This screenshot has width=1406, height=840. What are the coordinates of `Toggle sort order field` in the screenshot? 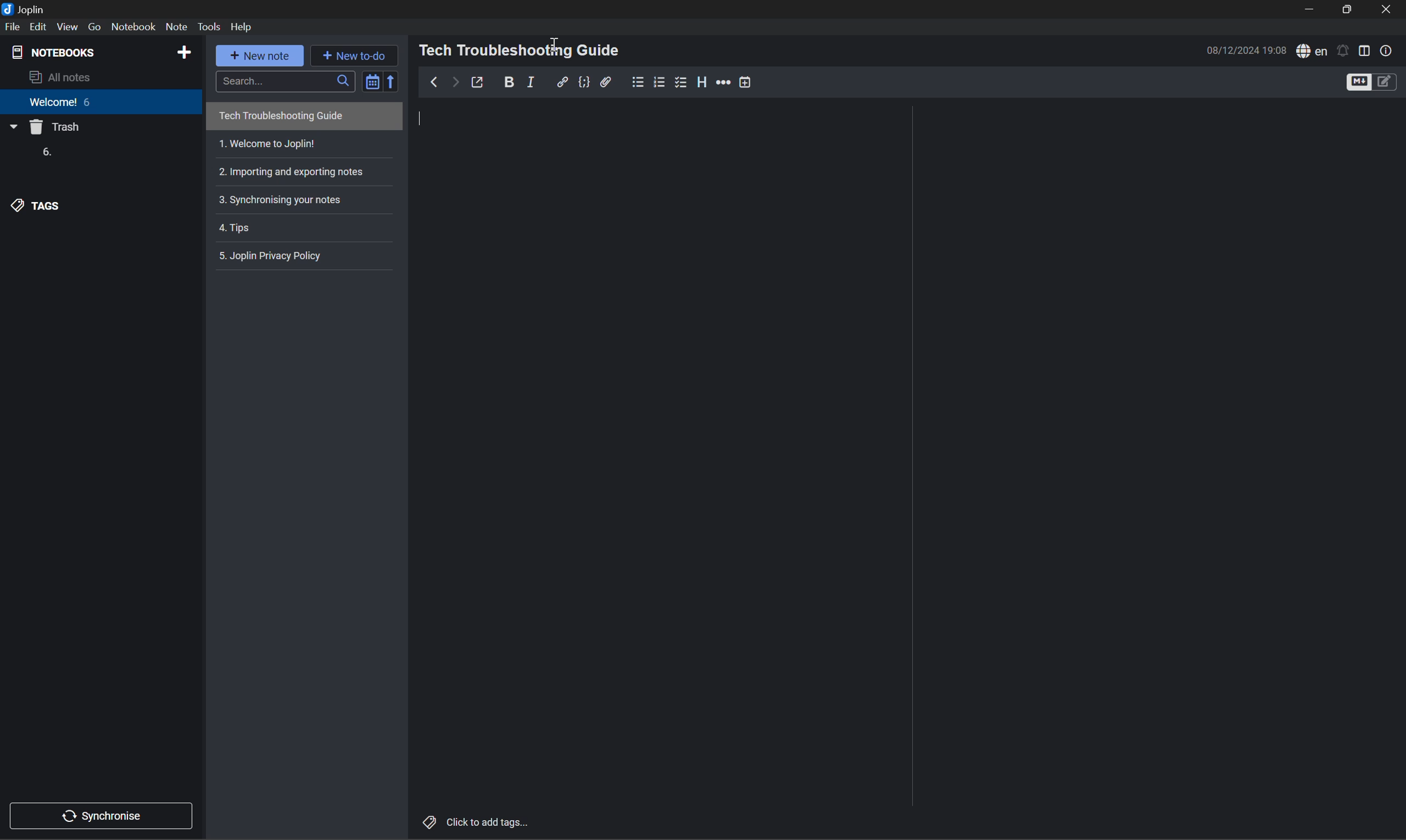 It's located at (370, 80).